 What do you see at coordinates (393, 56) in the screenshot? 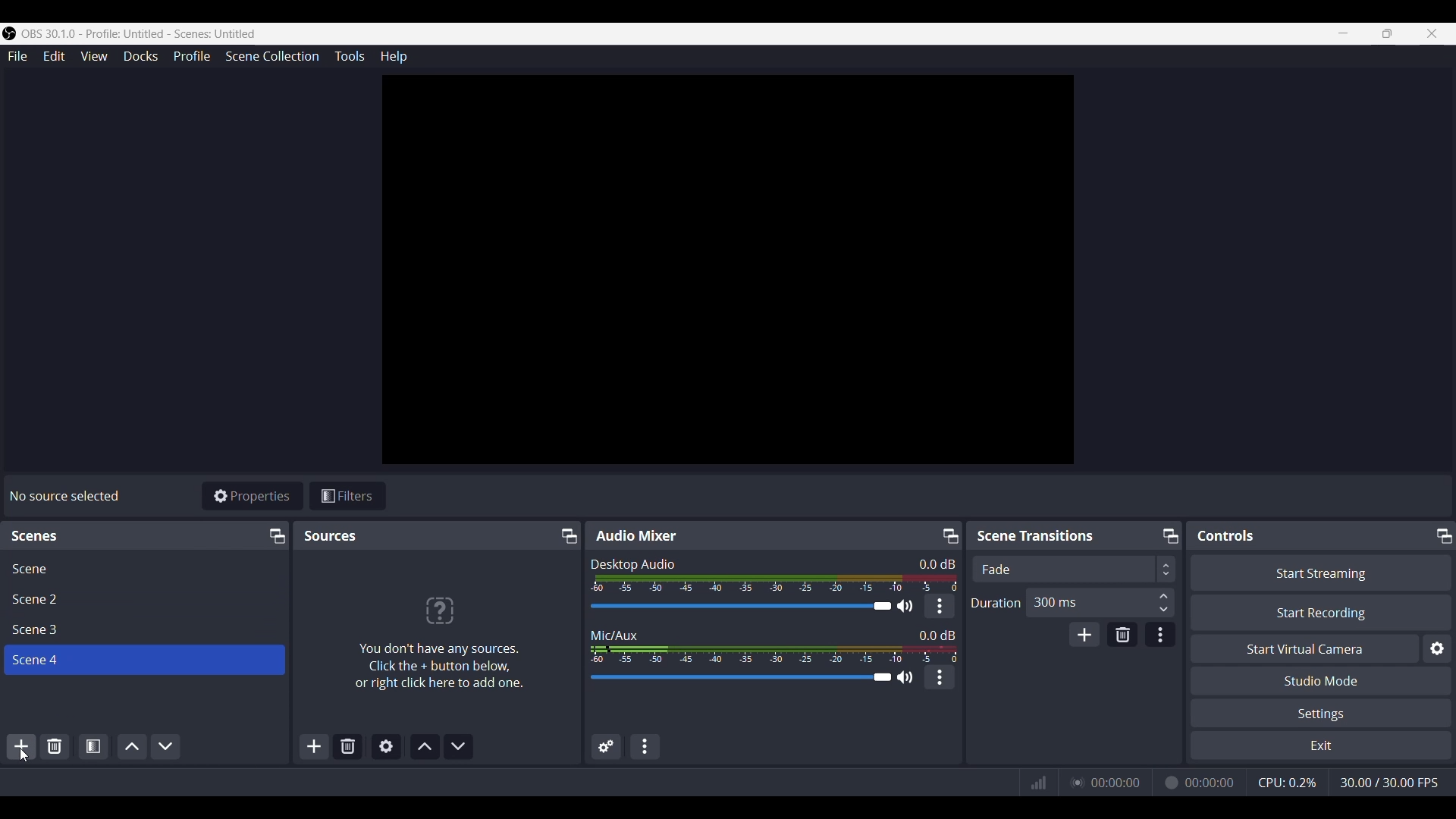
I see `Help` at bounding box center [393, 56].